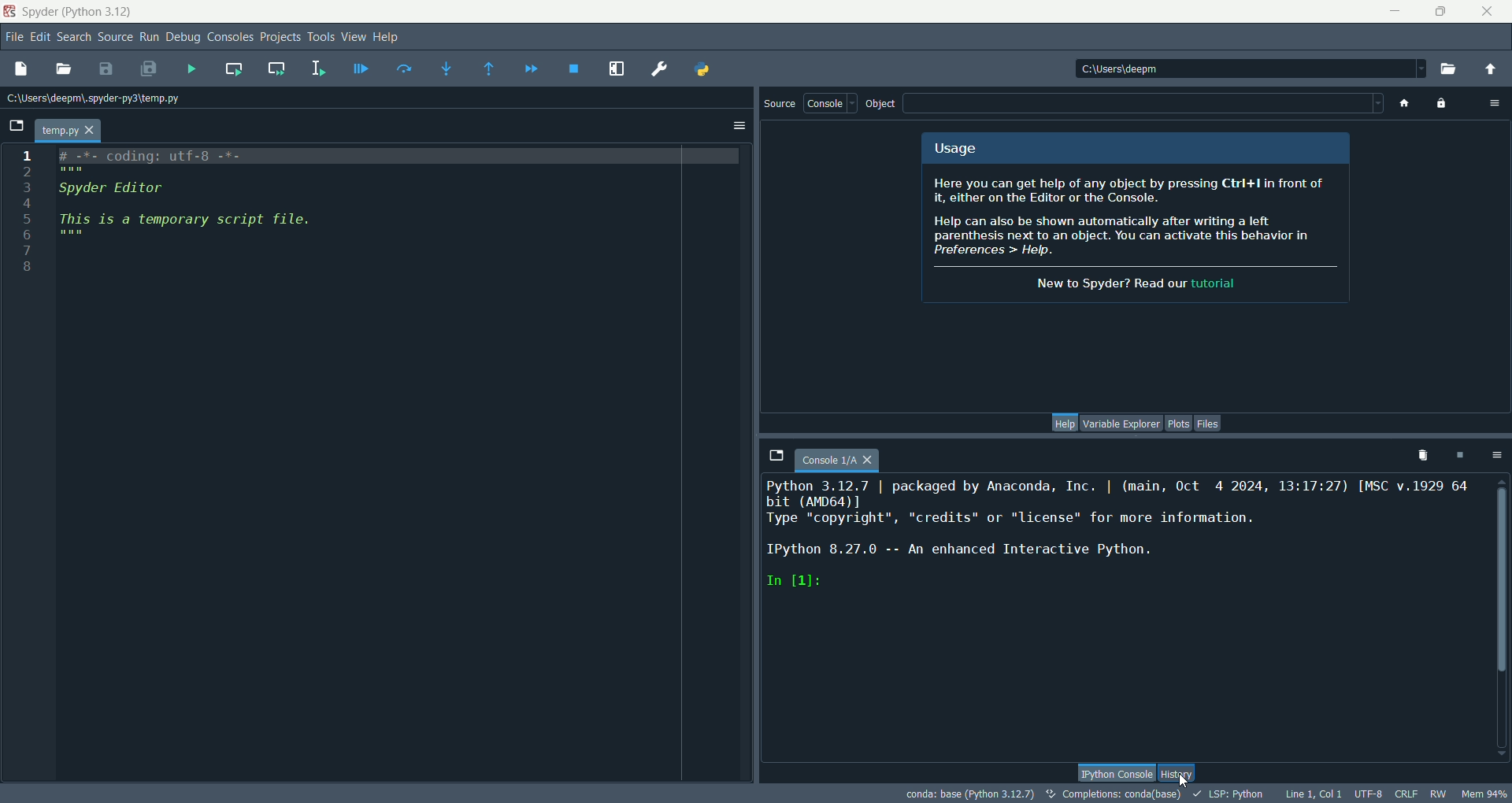 The width and height of the screenshot is (1512, 803). Describe the element at coordinates (1110, 794) in the screenshot. I see `completions:conda` at that location.